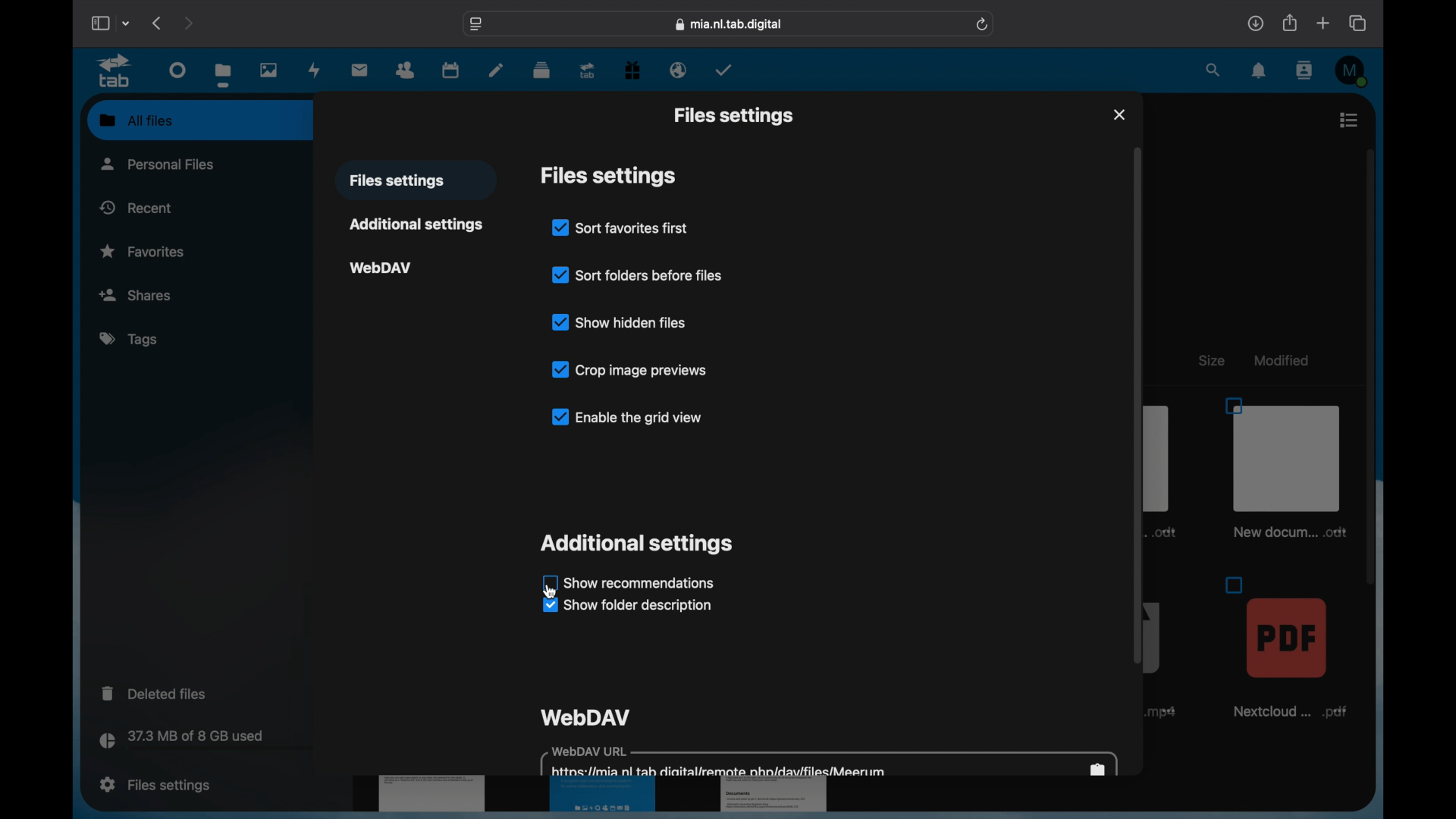 The width and height of the screenshot is (1456, 819). Describe the element at coordinates (982, 25) in the screenshot. I see `refresh` at that location.